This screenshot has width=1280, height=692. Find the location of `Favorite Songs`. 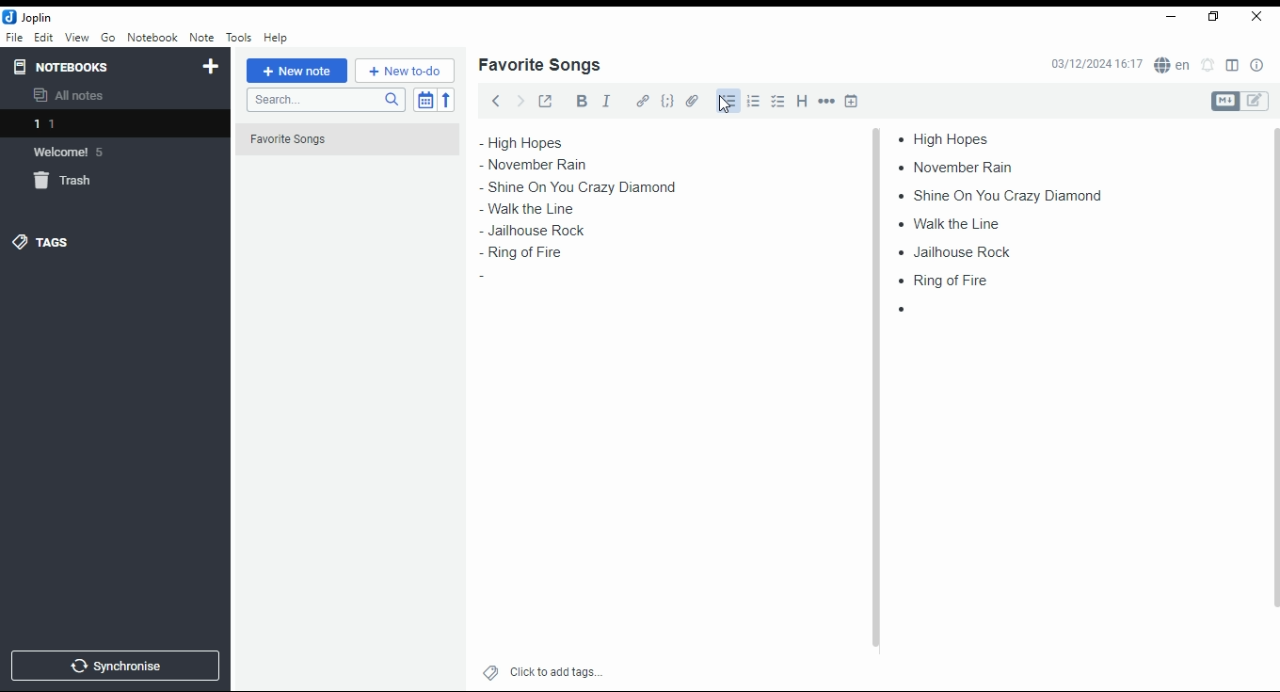

Favorite Songs is located at coordinates (337, 140).